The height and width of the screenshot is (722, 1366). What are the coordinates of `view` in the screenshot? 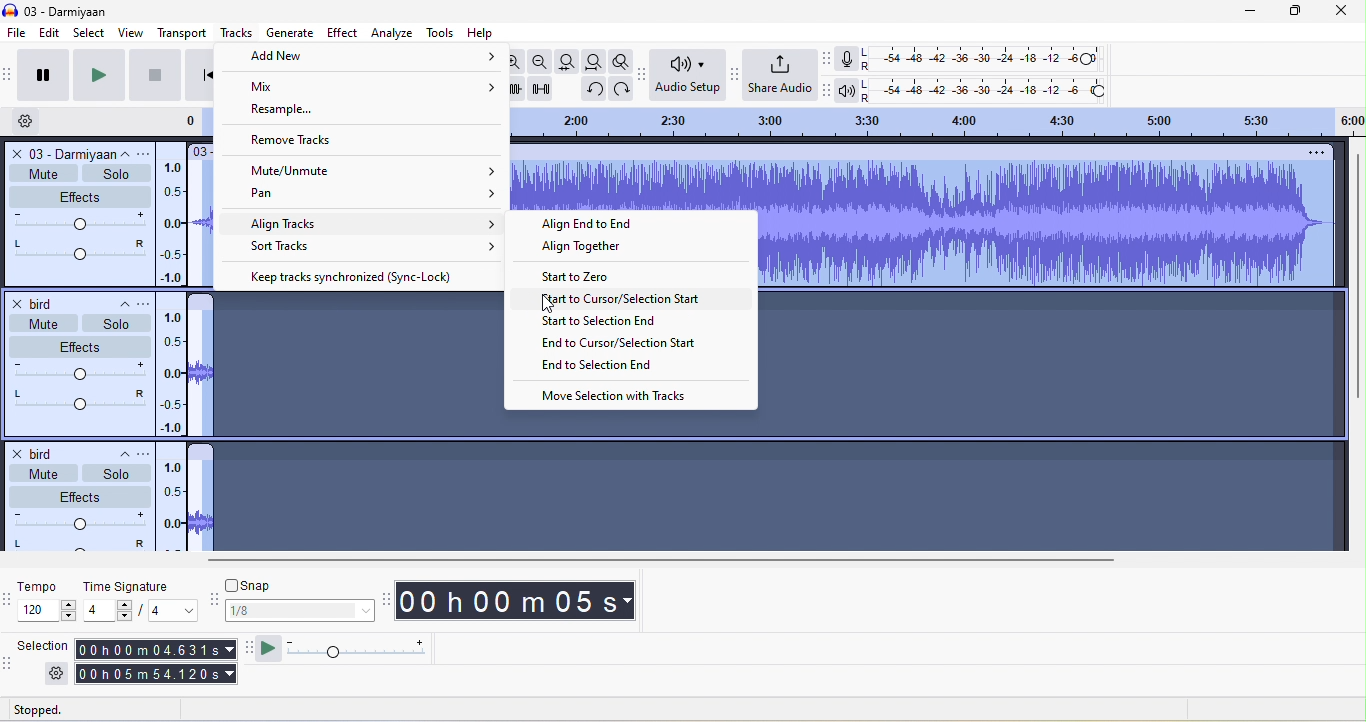 It's located at (126, 32).